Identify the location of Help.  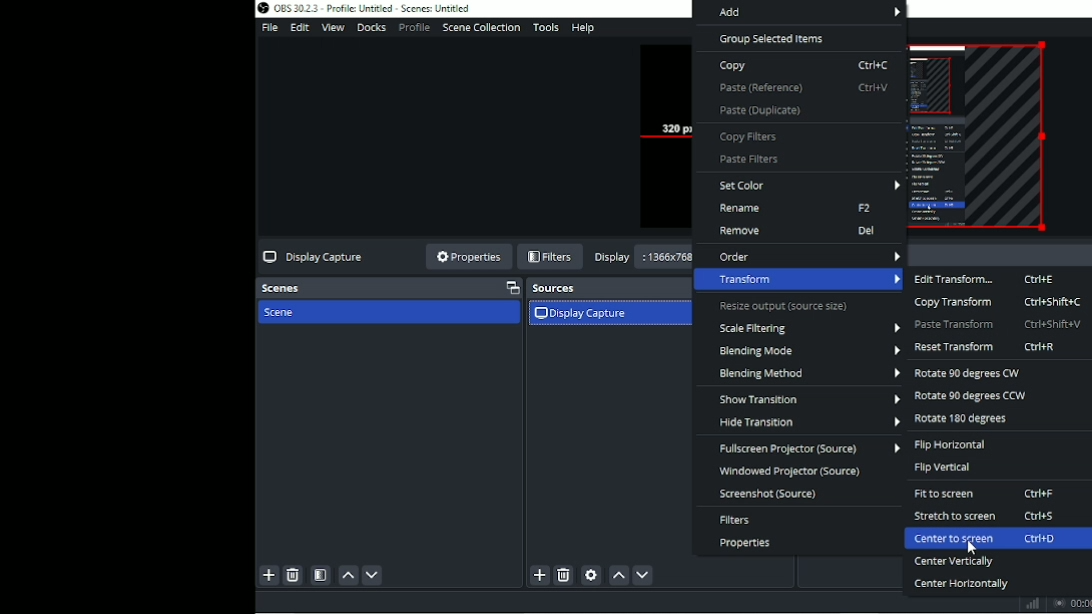
(583, 27).